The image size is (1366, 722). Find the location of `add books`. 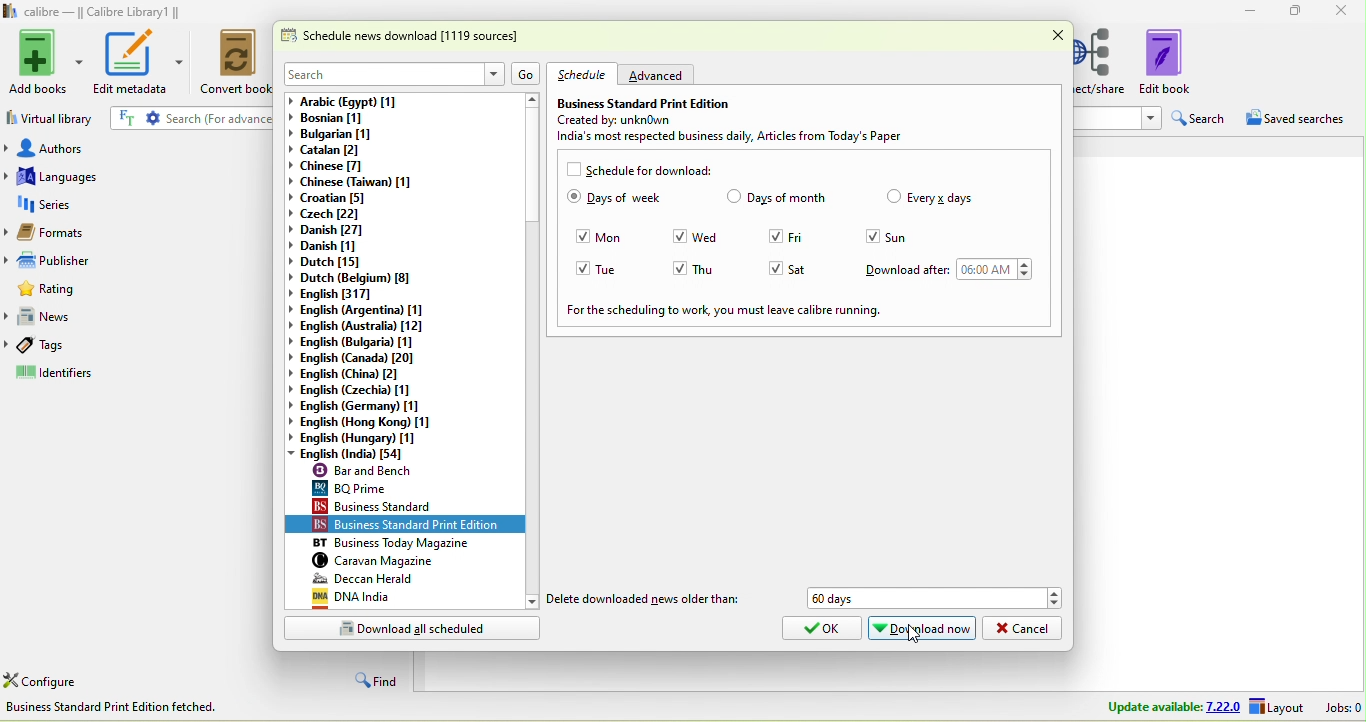

add books is located at coordinates (38, 63).